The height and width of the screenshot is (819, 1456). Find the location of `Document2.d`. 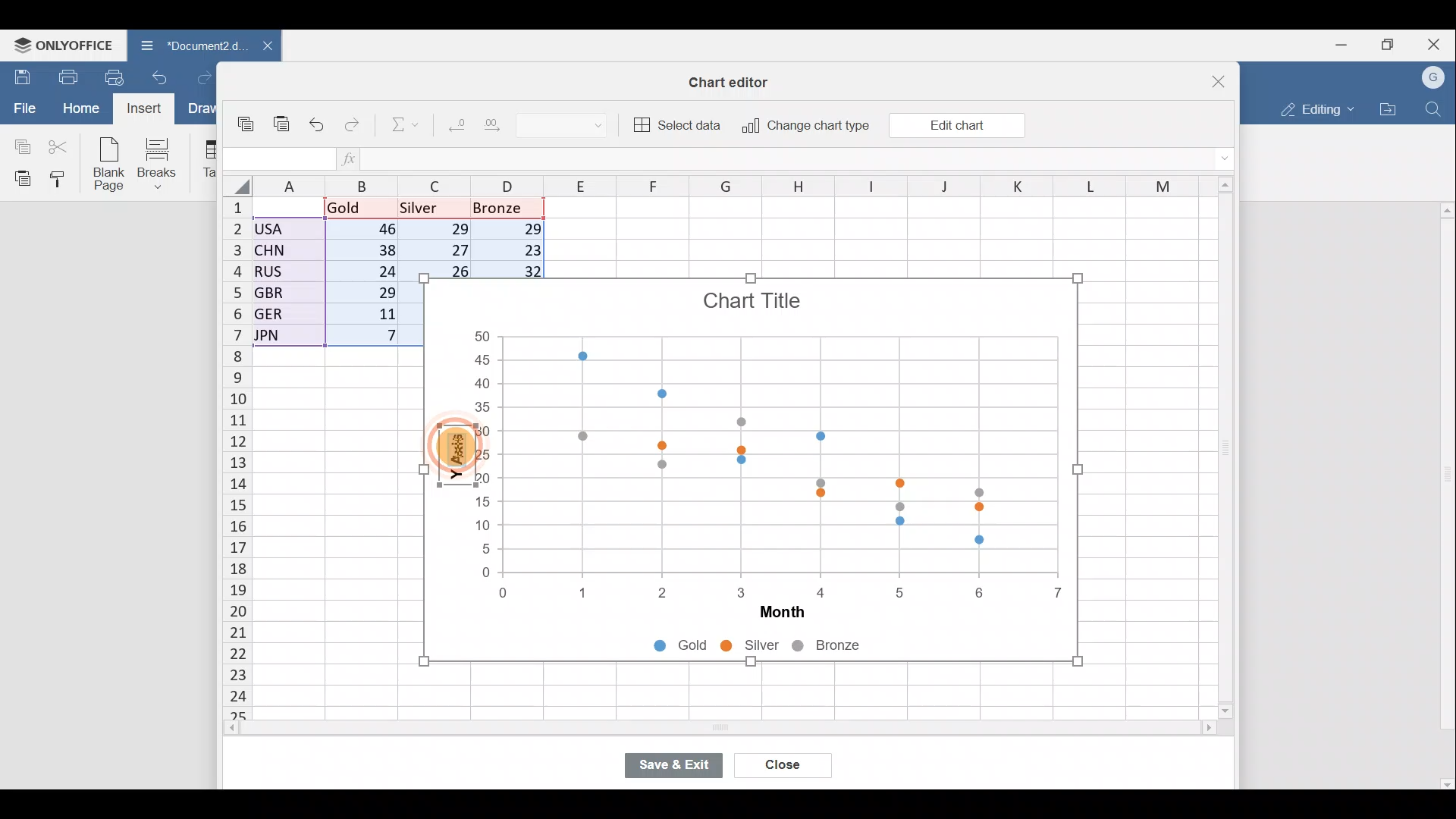

Document2.d is located at coordinates (186, 45).